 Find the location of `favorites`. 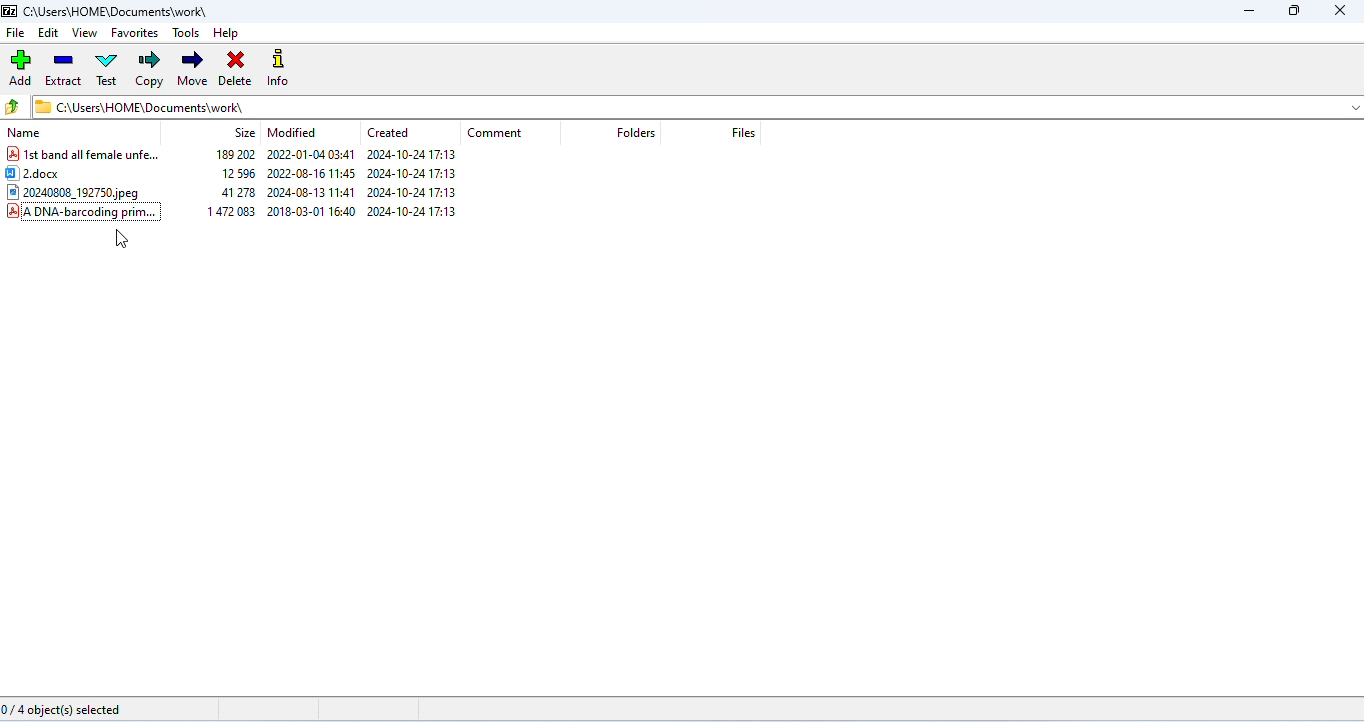

favorites is located at coordinates (136, 32).